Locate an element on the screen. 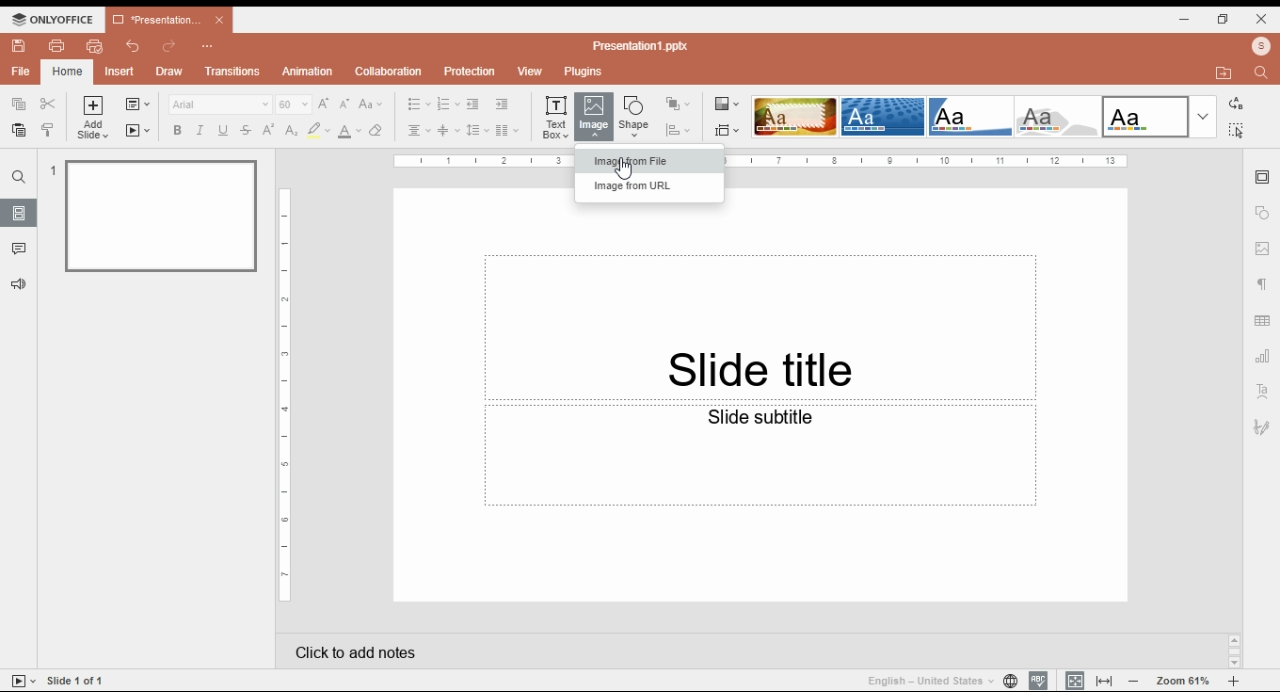  cut is located at coordinates (48, 104).